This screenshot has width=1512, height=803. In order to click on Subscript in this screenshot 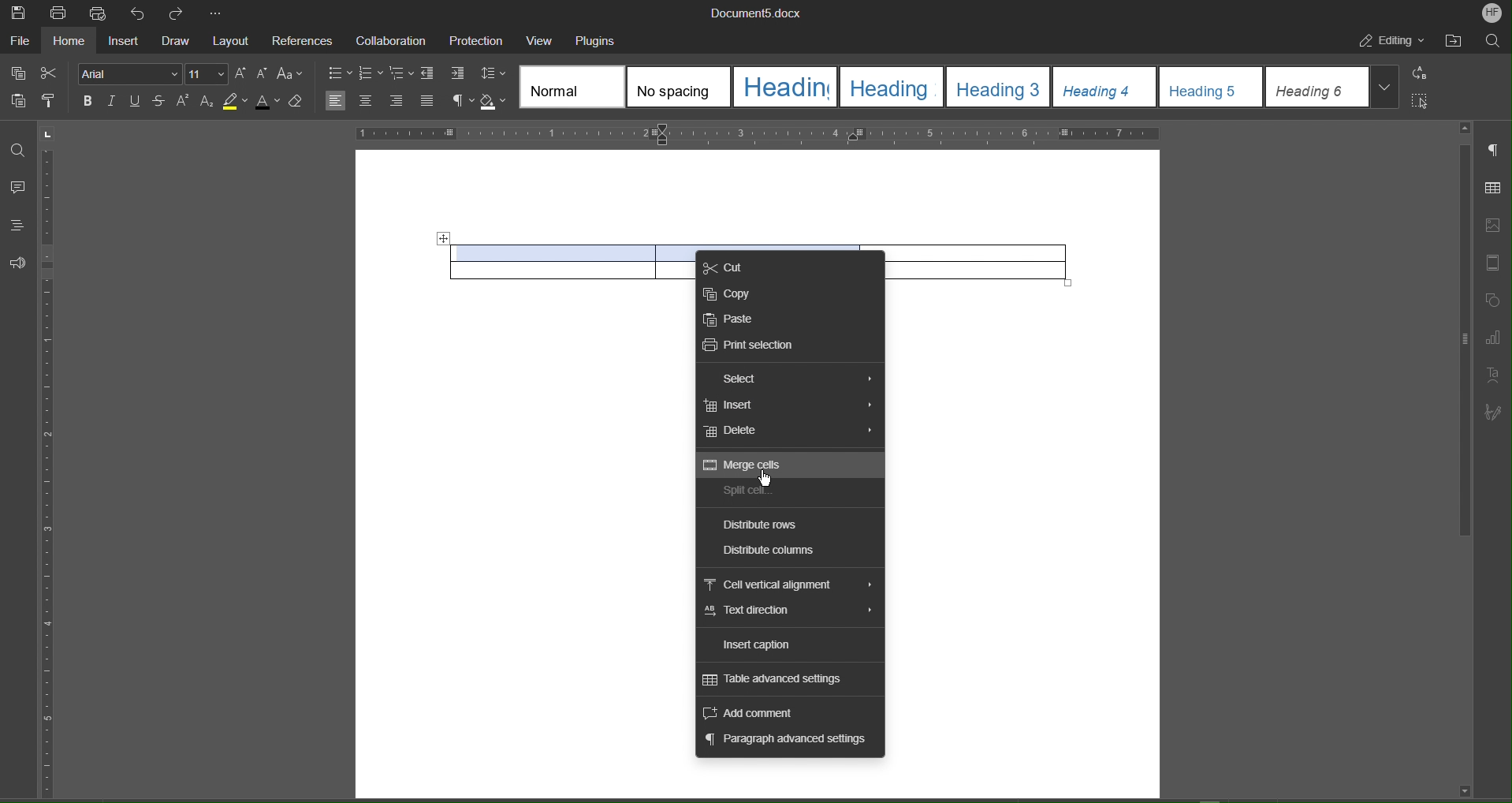, I will do `click(208, 102)`.